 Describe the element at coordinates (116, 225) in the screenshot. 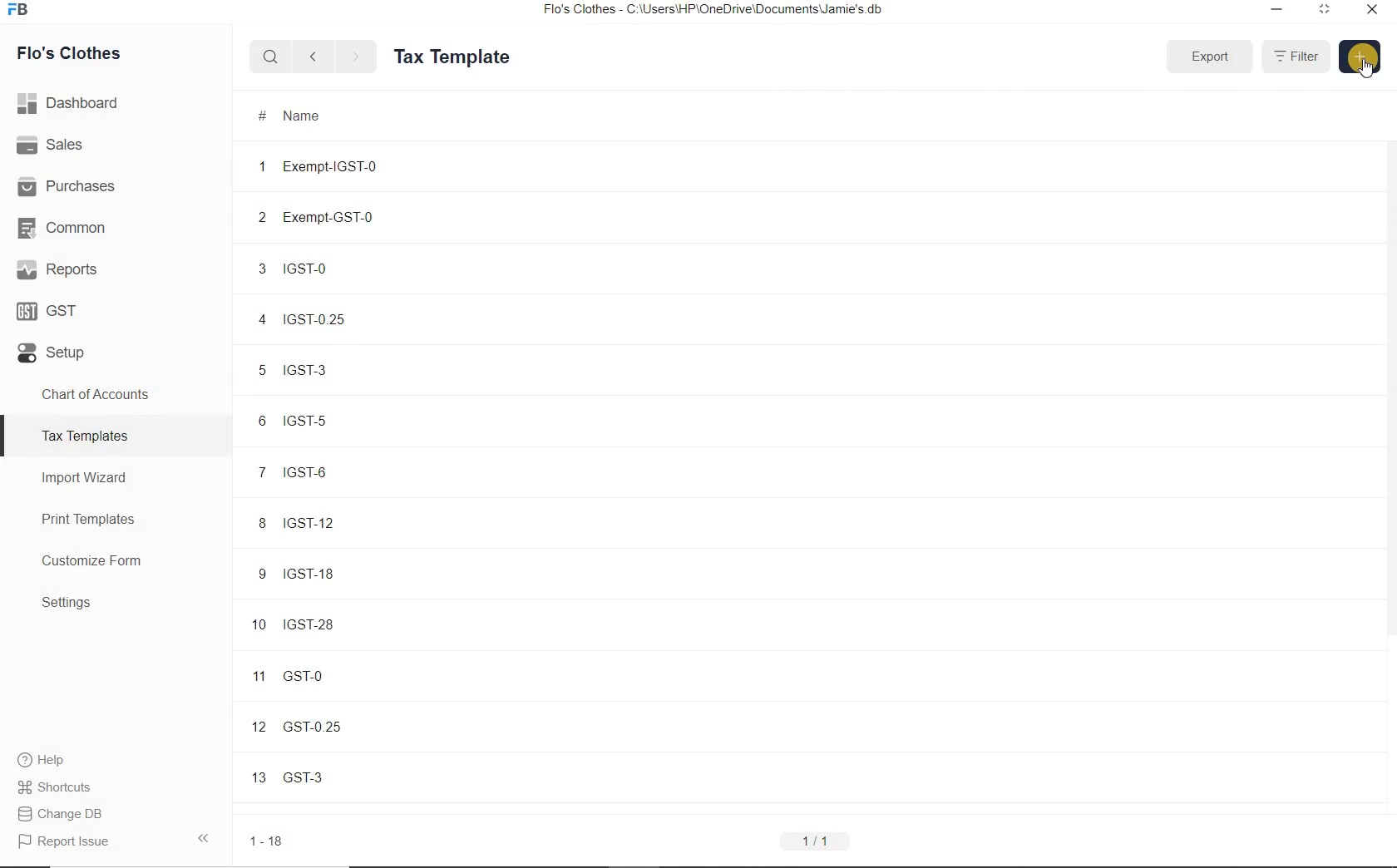

I see `Common` at that location.